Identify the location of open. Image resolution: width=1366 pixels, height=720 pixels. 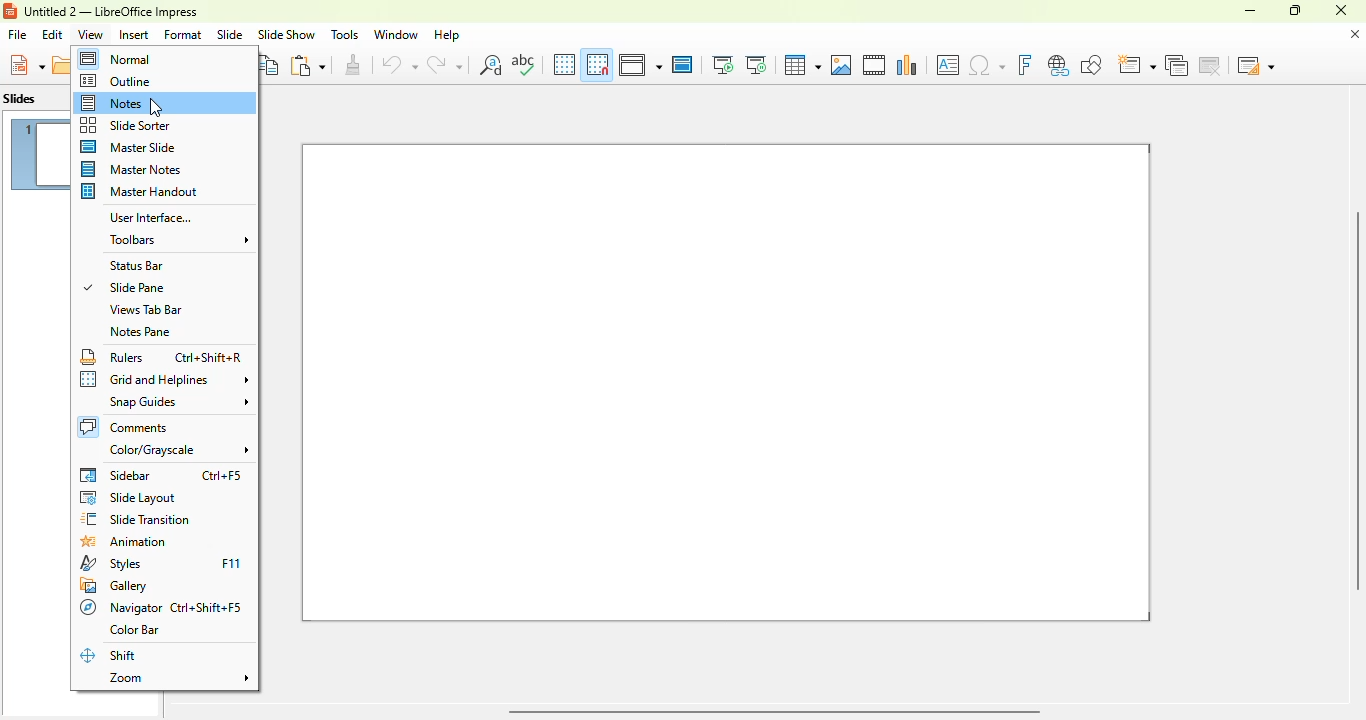
(61, 64).